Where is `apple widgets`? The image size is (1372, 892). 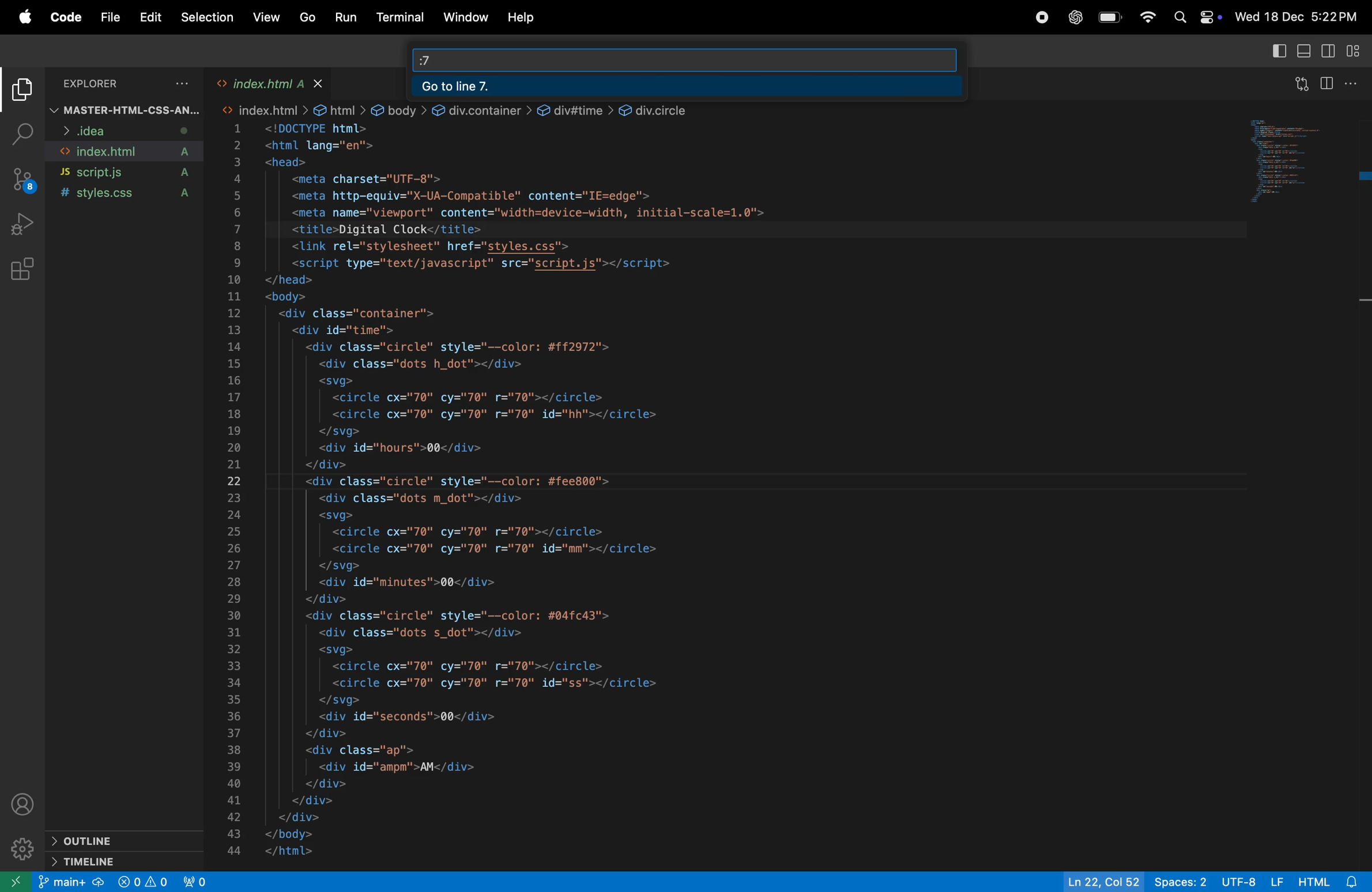
apple widgets is located at coordinates (1197, 17).